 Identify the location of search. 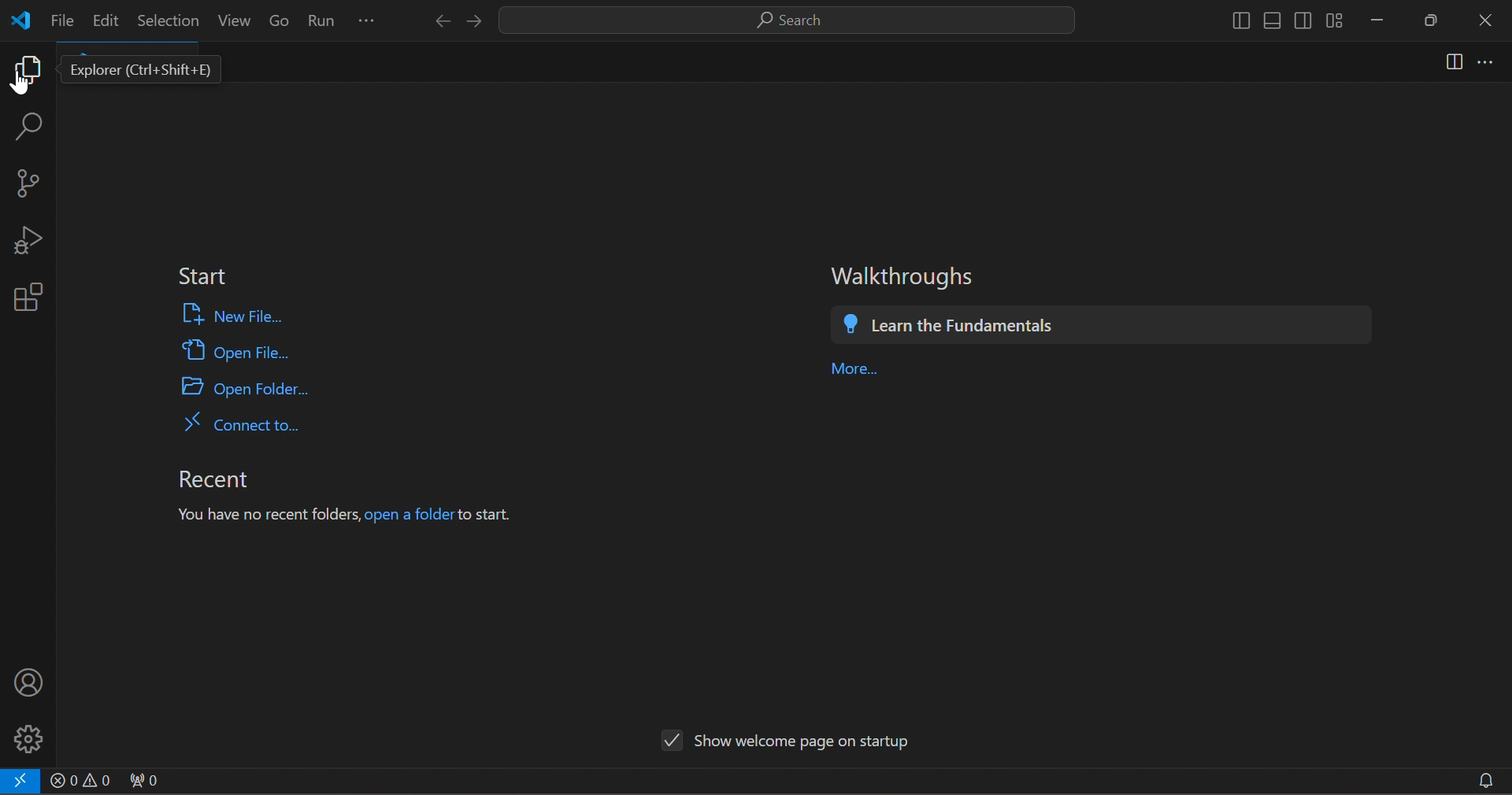
(789, 18).